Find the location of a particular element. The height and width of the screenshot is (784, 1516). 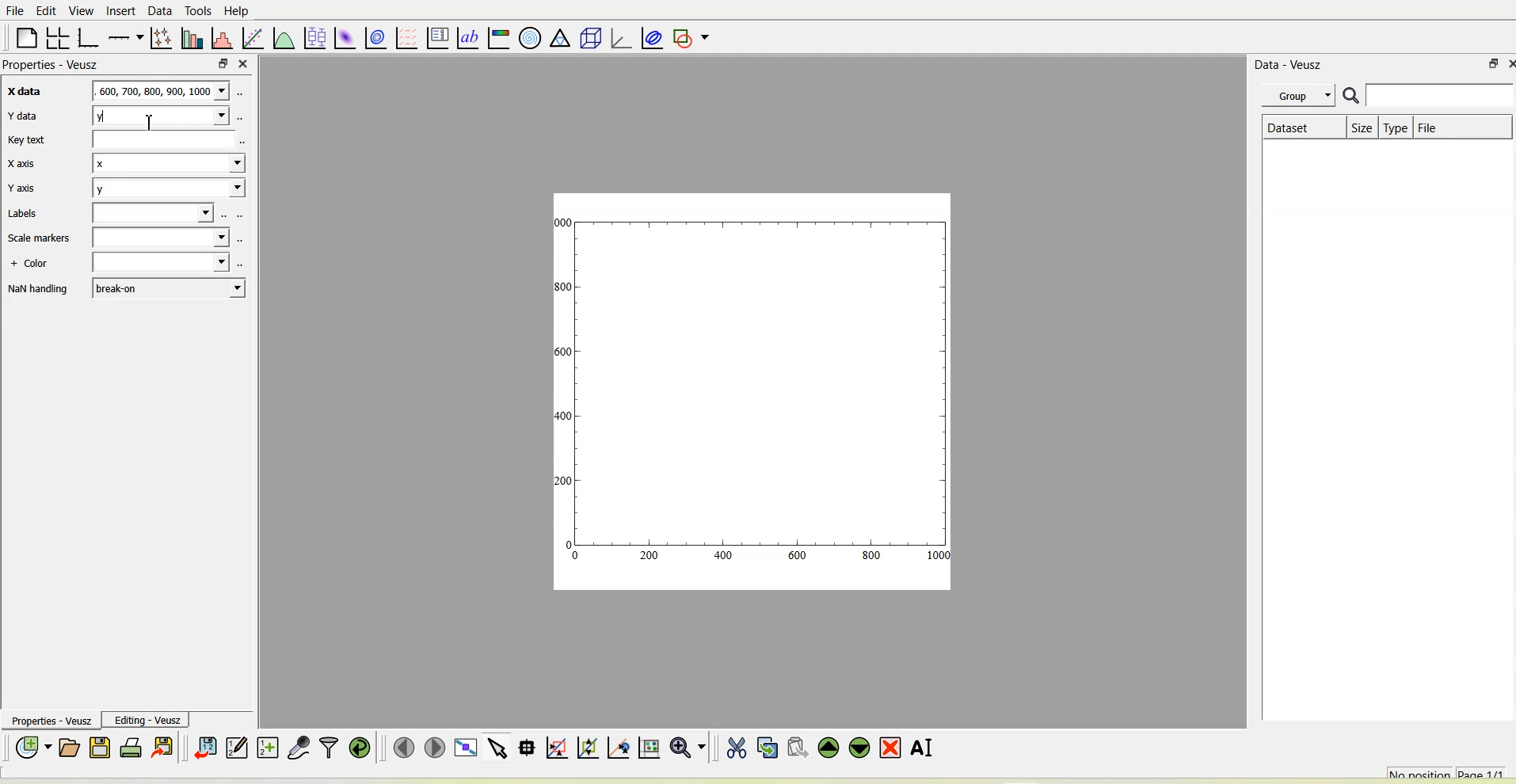

View is located at coordinates (78, 11).